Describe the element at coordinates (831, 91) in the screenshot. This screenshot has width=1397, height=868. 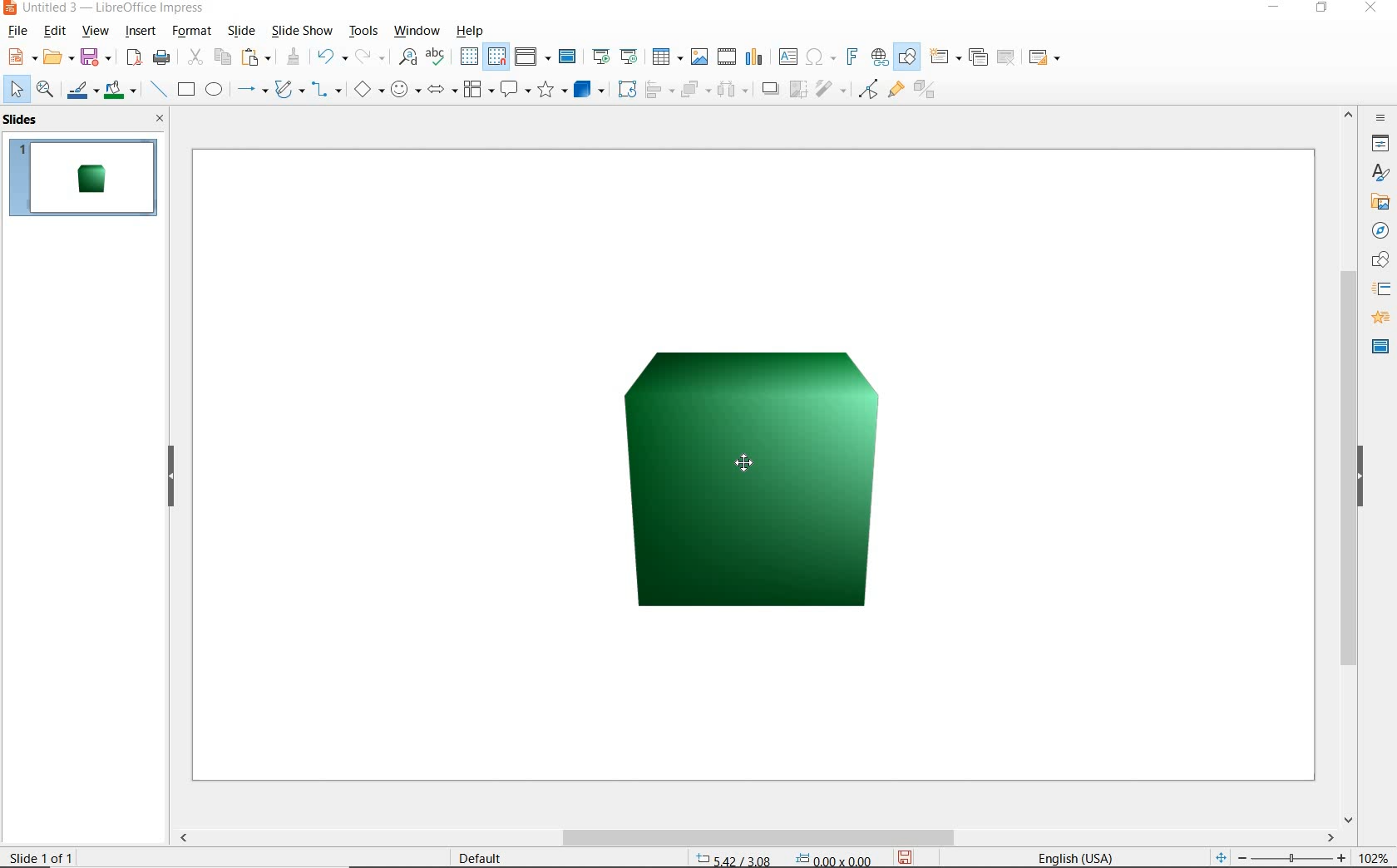
I see `FILTER` at that location.